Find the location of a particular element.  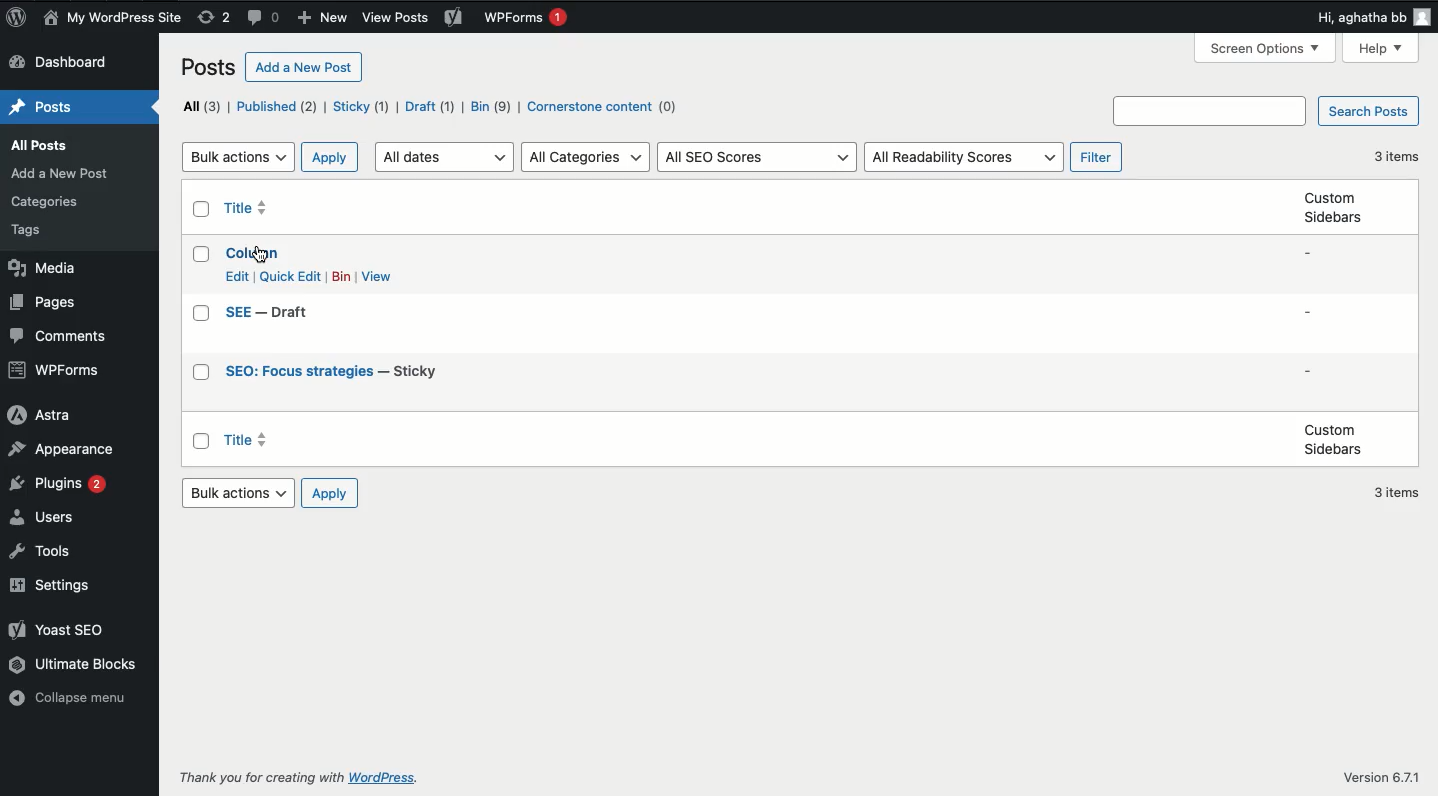

Draft is located at coordinates (430, 107).